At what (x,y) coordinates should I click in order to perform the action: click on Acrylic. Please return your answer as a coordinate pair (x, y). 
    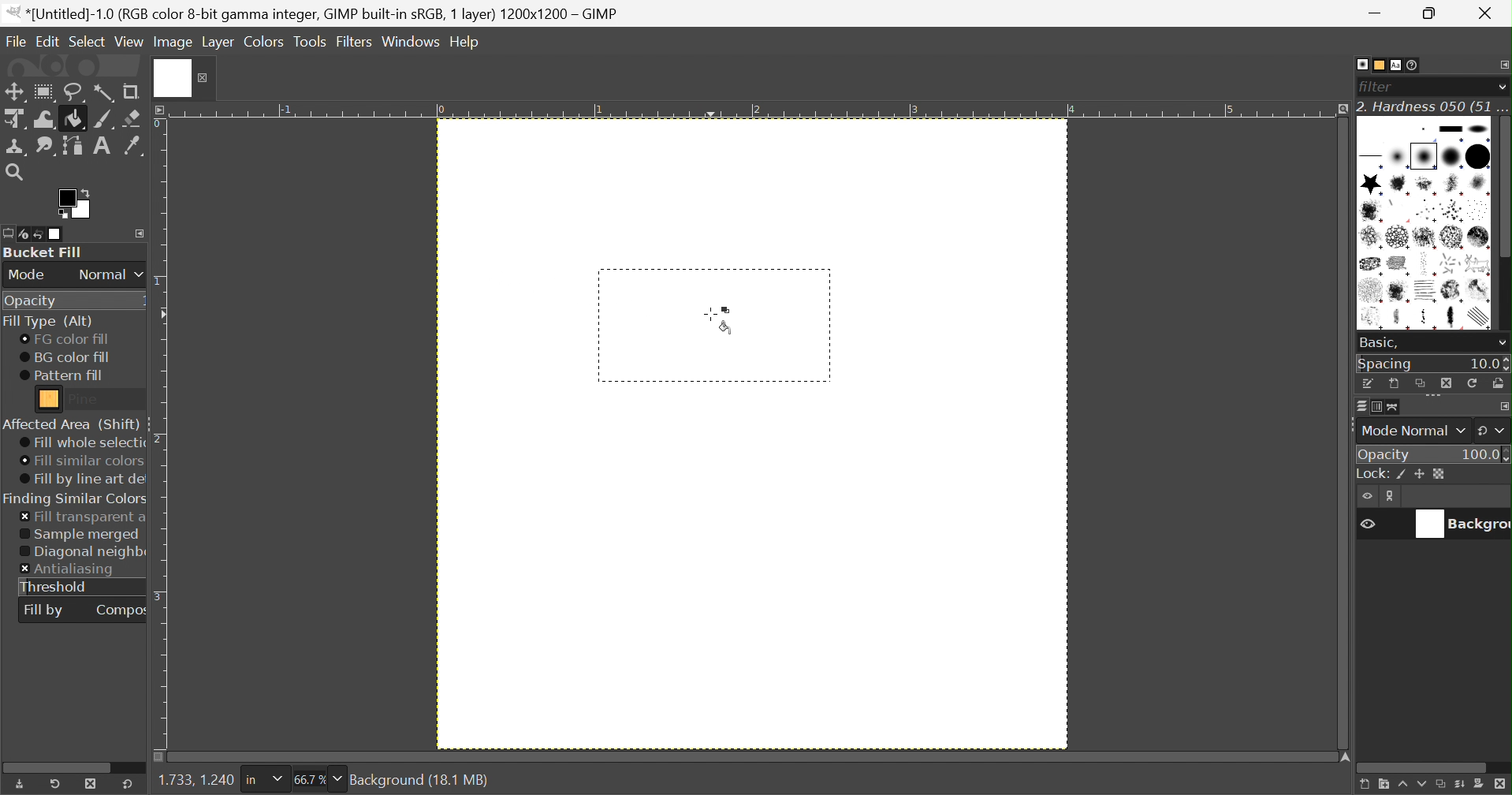
    Looking at the image, I should click on (1401, 185).